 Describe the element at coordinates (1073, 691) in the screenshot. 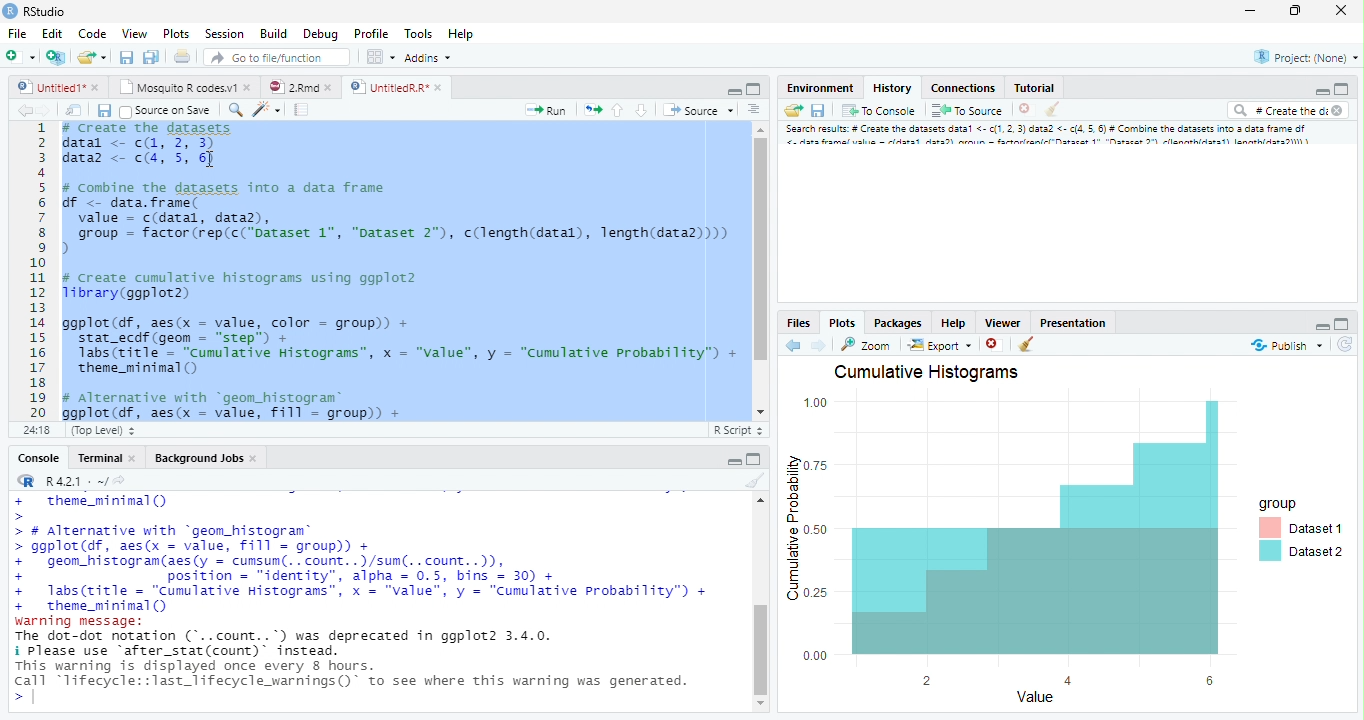

I see `Value` at that location.